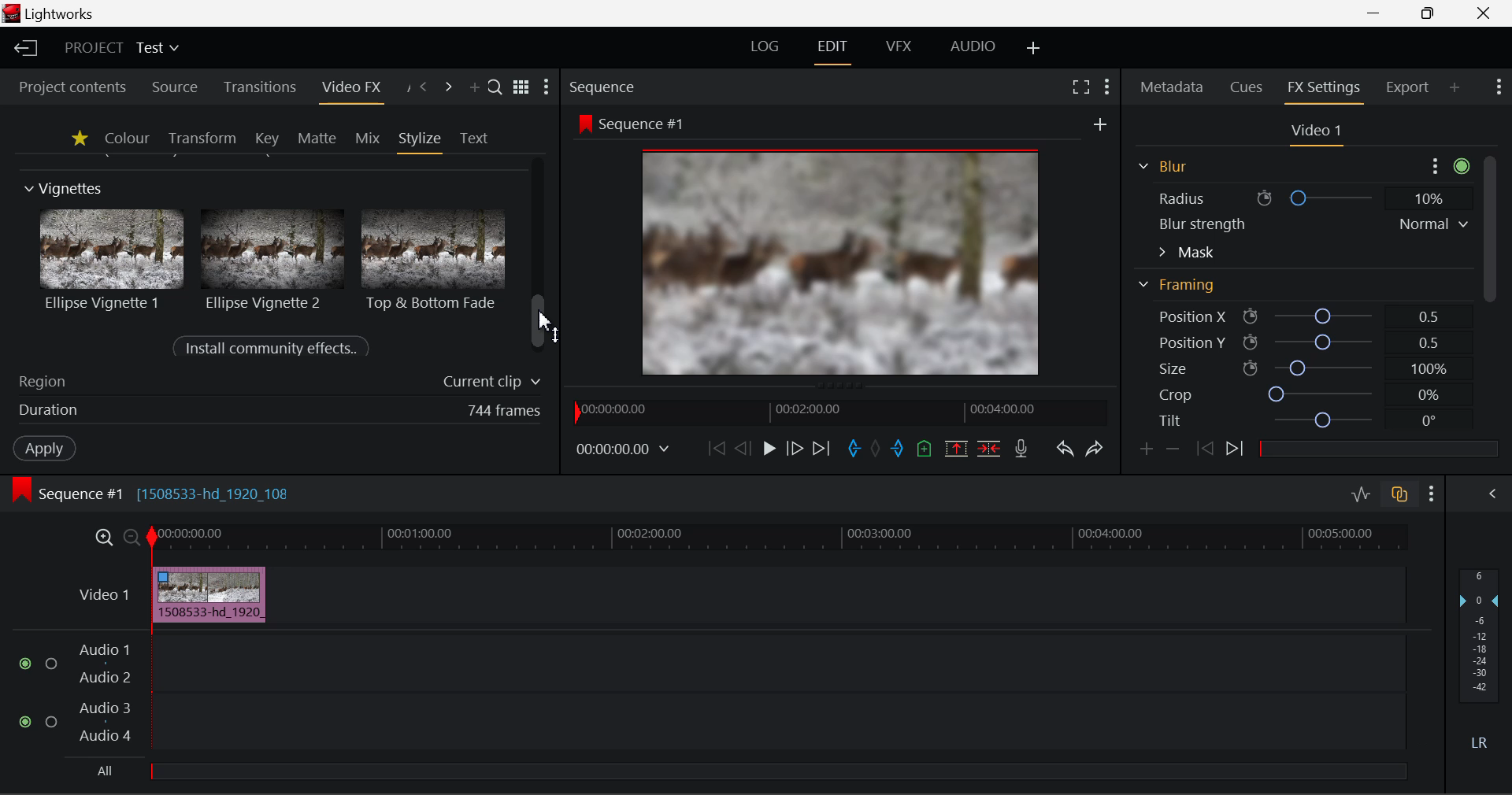 The height and width of the screenshot is (795, 1512). What do you see at coordinates (276, 412) in the screenshot?
I see `Duration` at bounding box center [276, 412].